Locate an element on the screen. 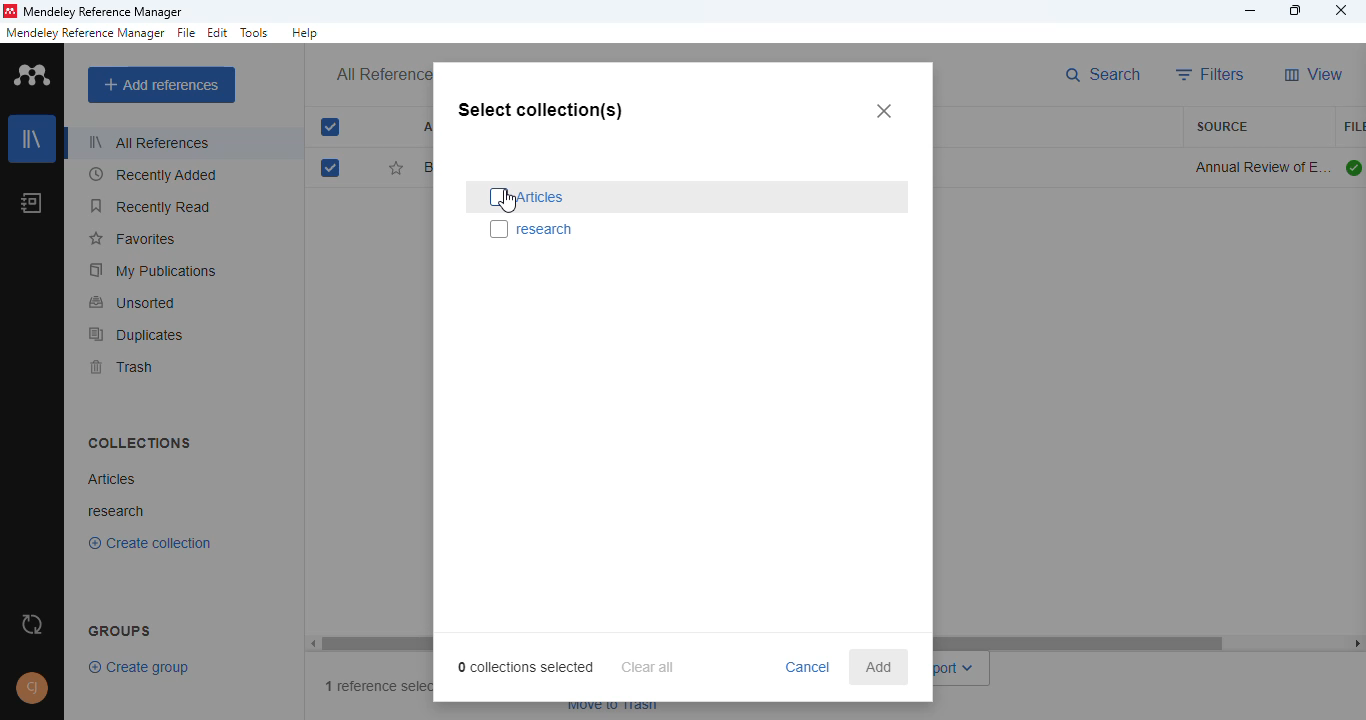 Image resolution: width=1366 pixels, height=720 pixels. minimize is located at coordinates (1251, 12).